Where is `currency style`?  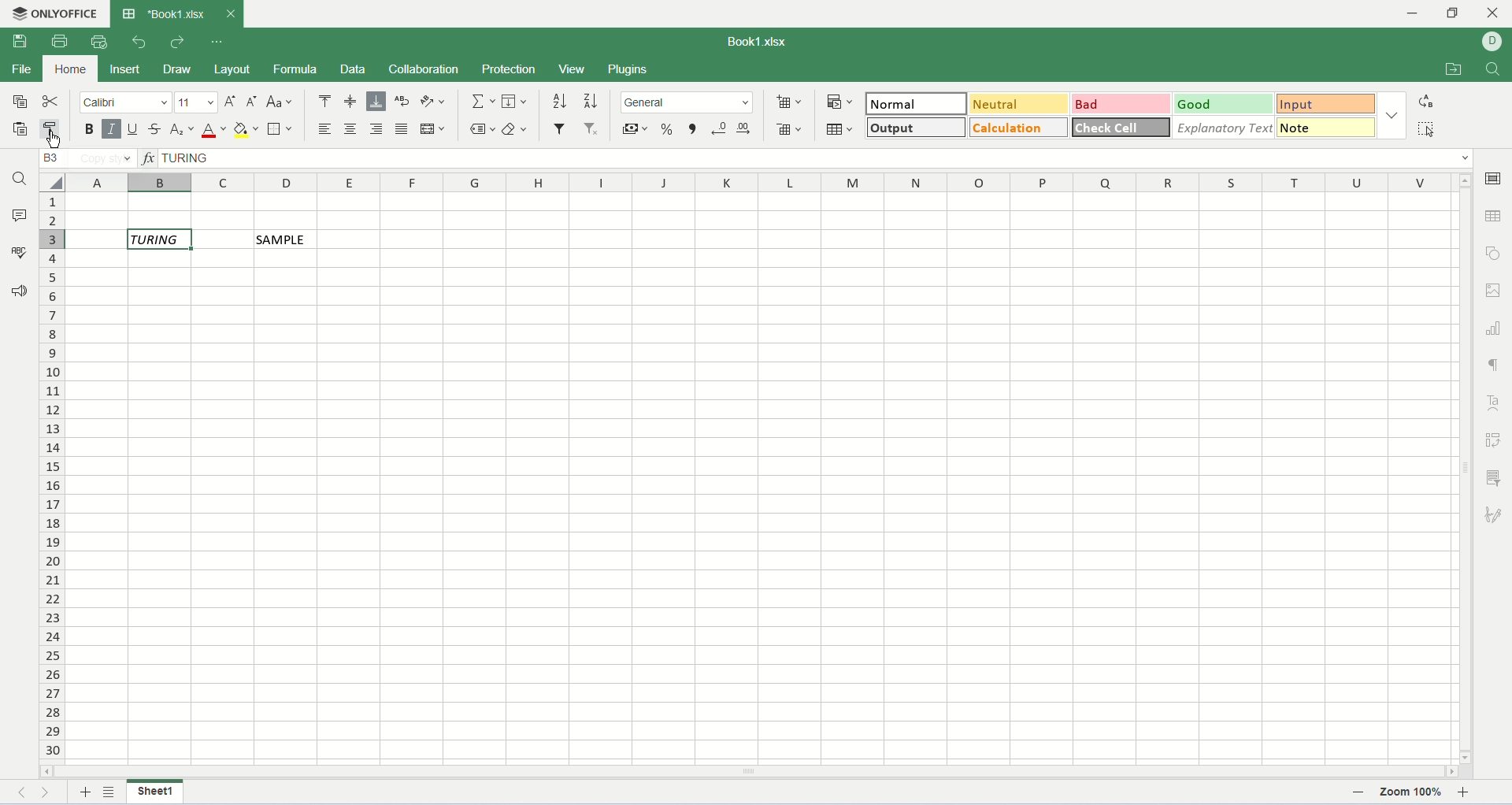
currency style is located at coordinates (636, 132).